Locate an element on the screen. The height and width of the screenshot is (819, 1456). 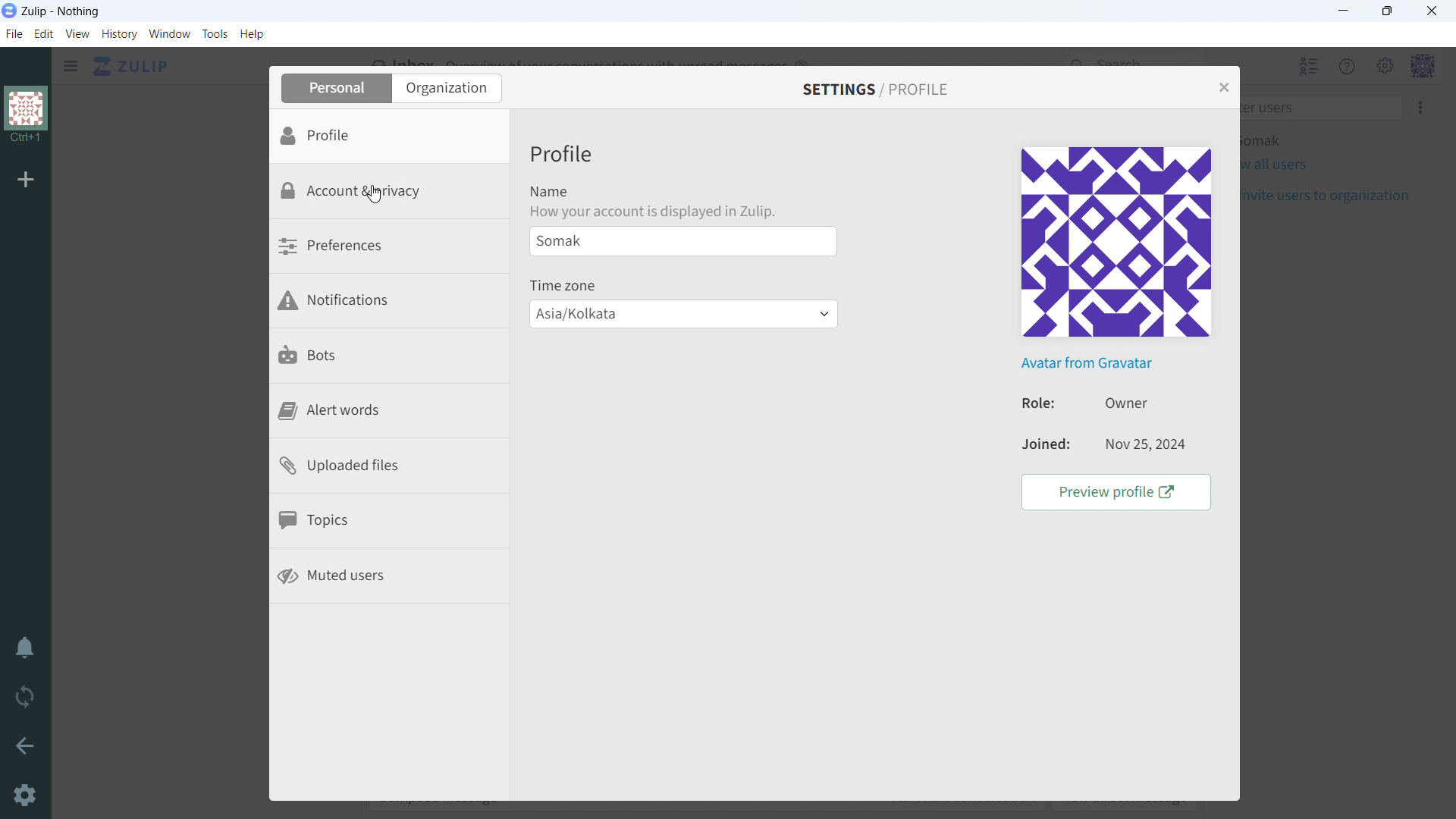
Cursor is located at coordinates (378, 193).